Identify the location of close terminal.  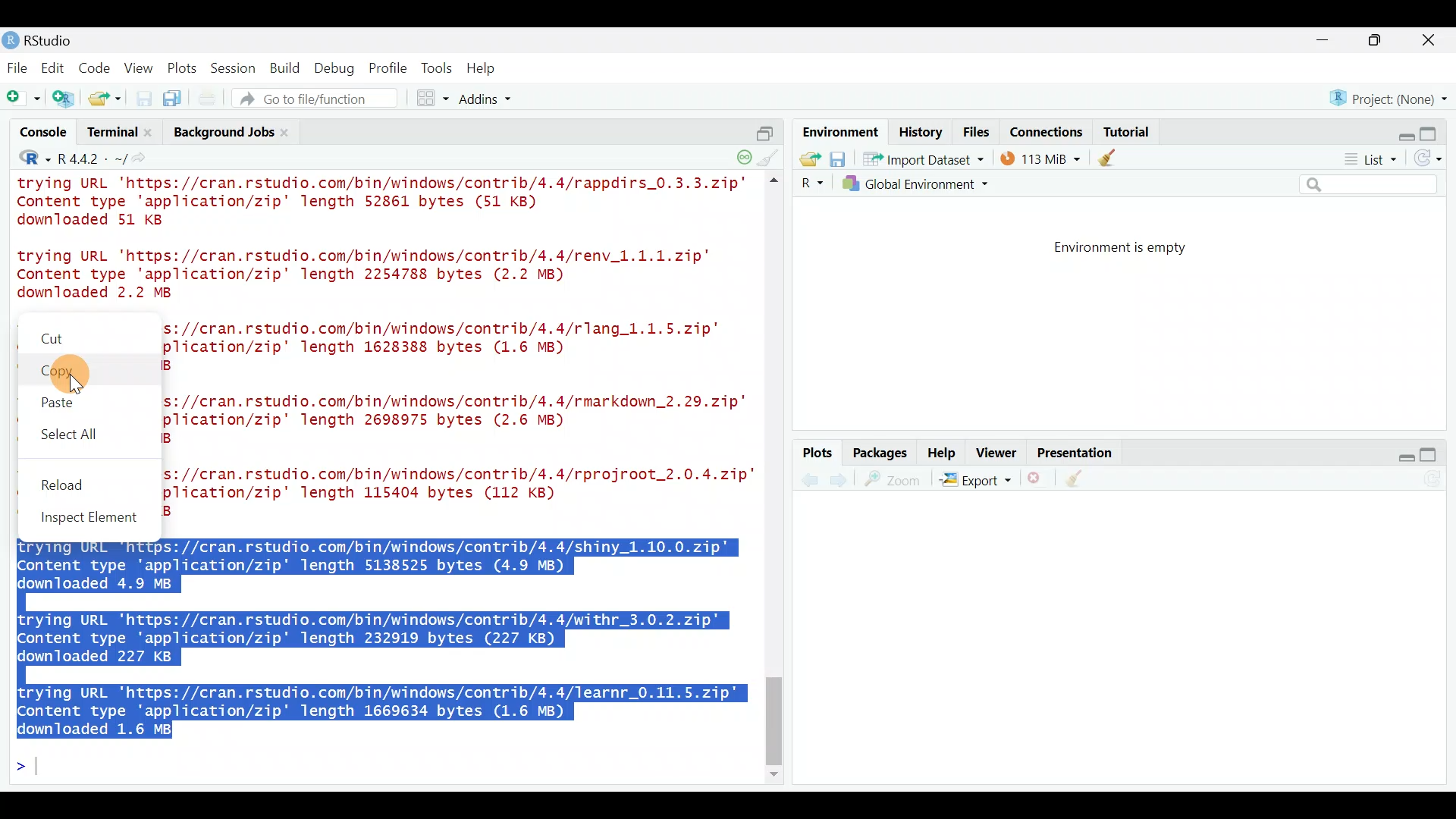
(151, 133).